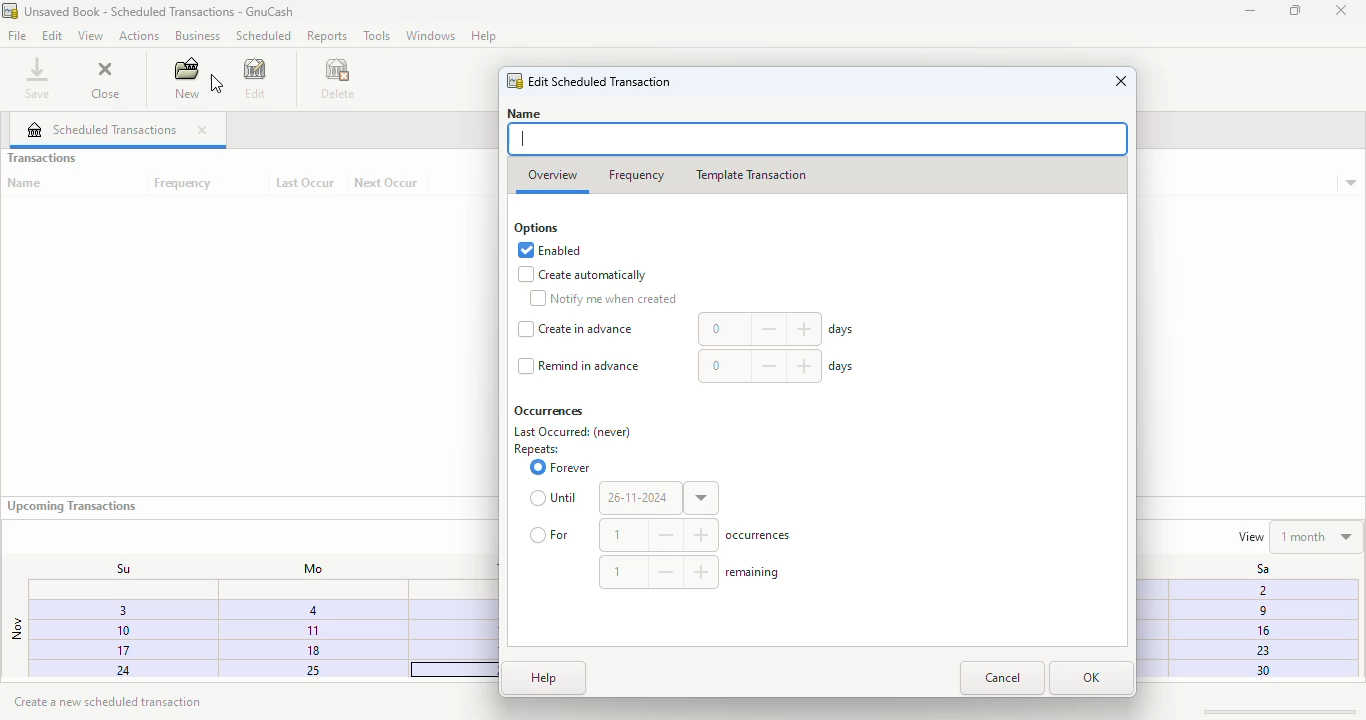  I want to click on forever, so click(560, 467).